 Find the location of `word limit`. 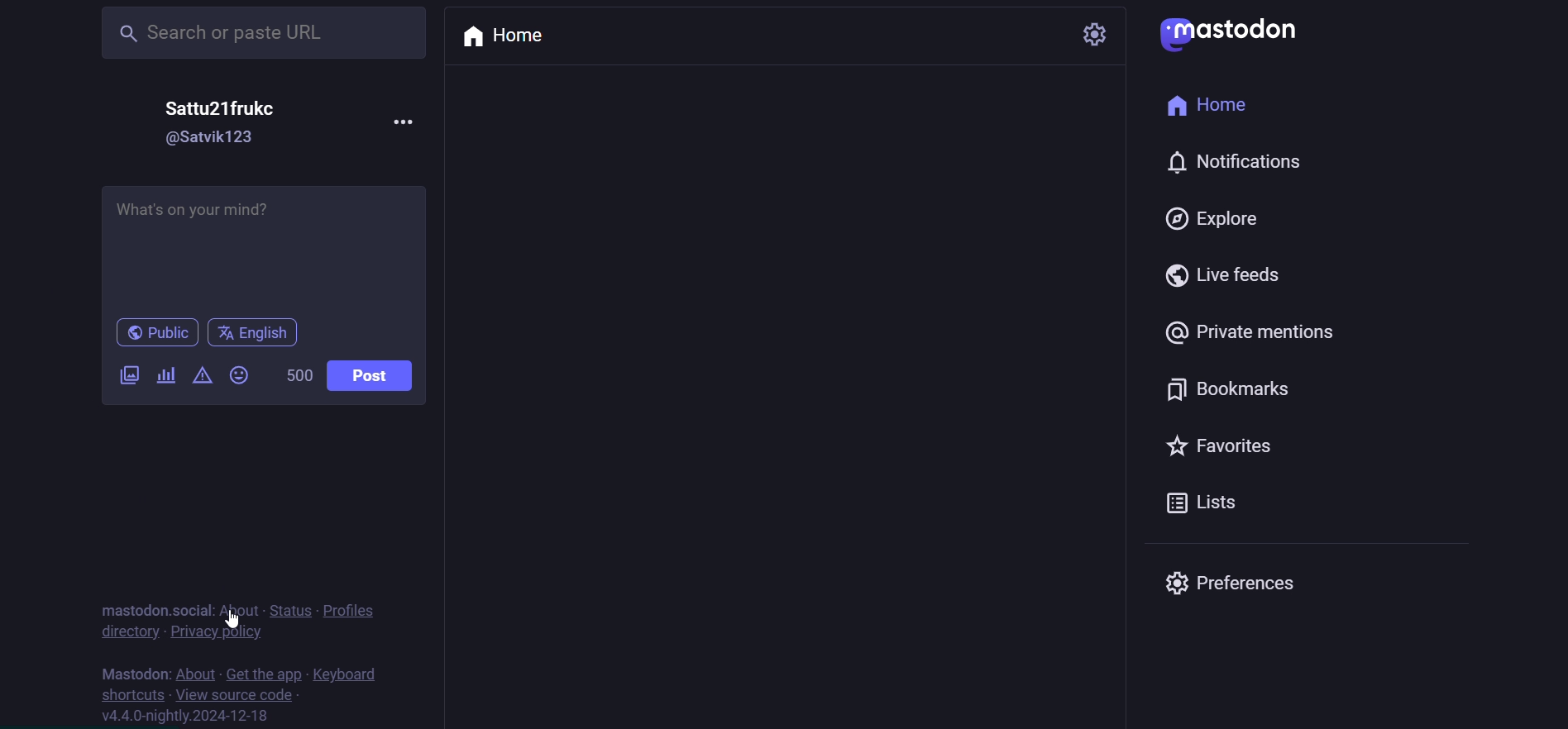

word limit is located at coordinates (296, 375).